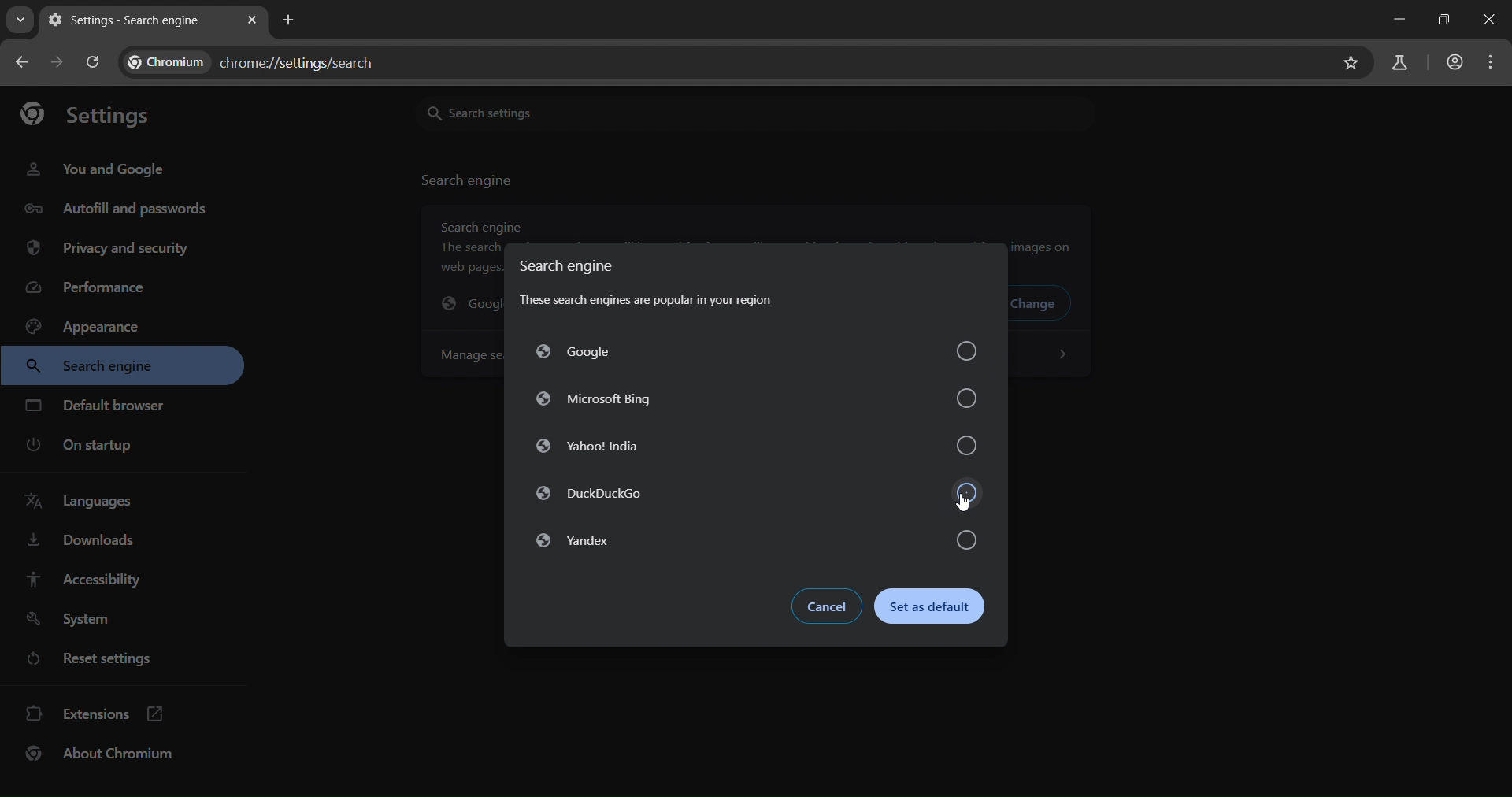 This screenshot has height=797, width=1512. I want to click on new tab, so click(288, 20).